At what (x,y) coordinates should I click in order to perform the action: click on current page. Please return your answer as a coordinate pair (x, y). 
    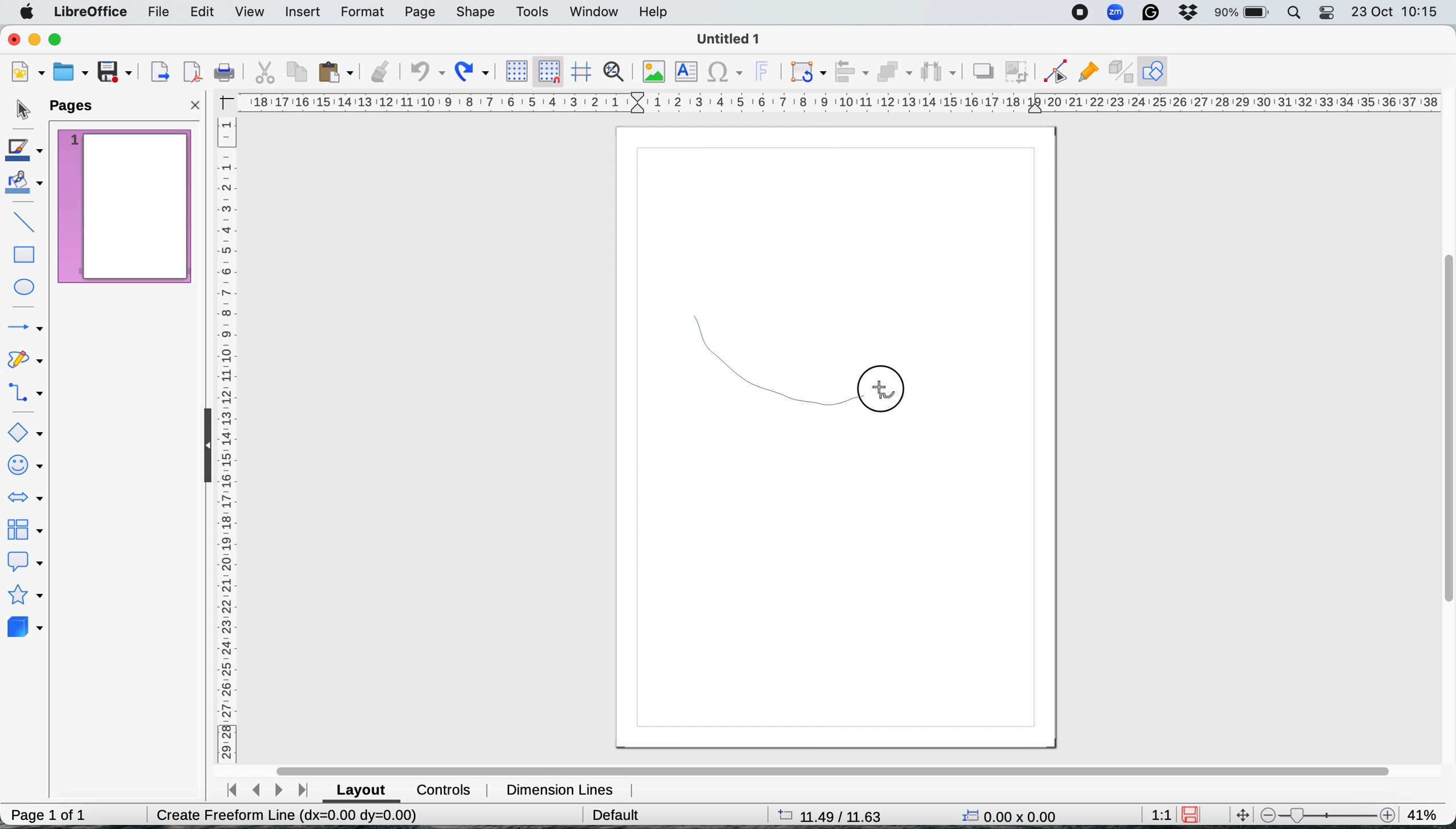
    Looking at the image, I should click on (121, 208).